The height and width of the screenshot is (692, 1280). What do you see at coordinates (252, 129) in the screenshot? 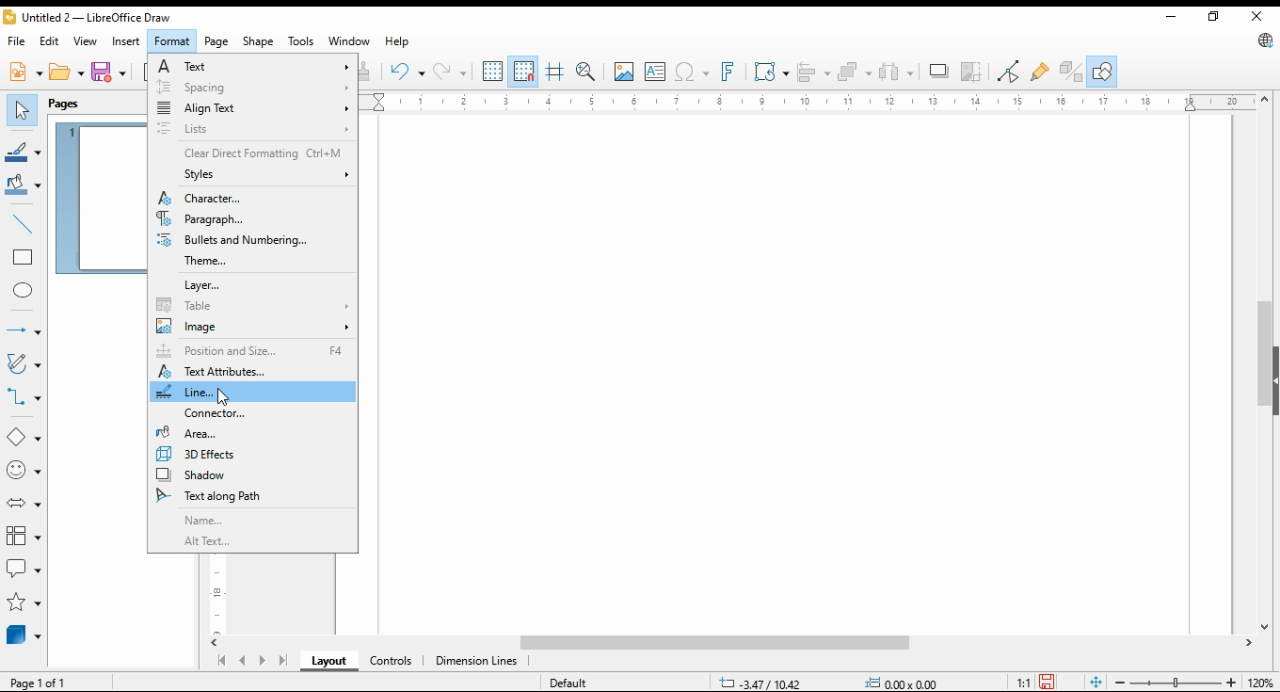
I see `lists` at bounding box center [252, 129].